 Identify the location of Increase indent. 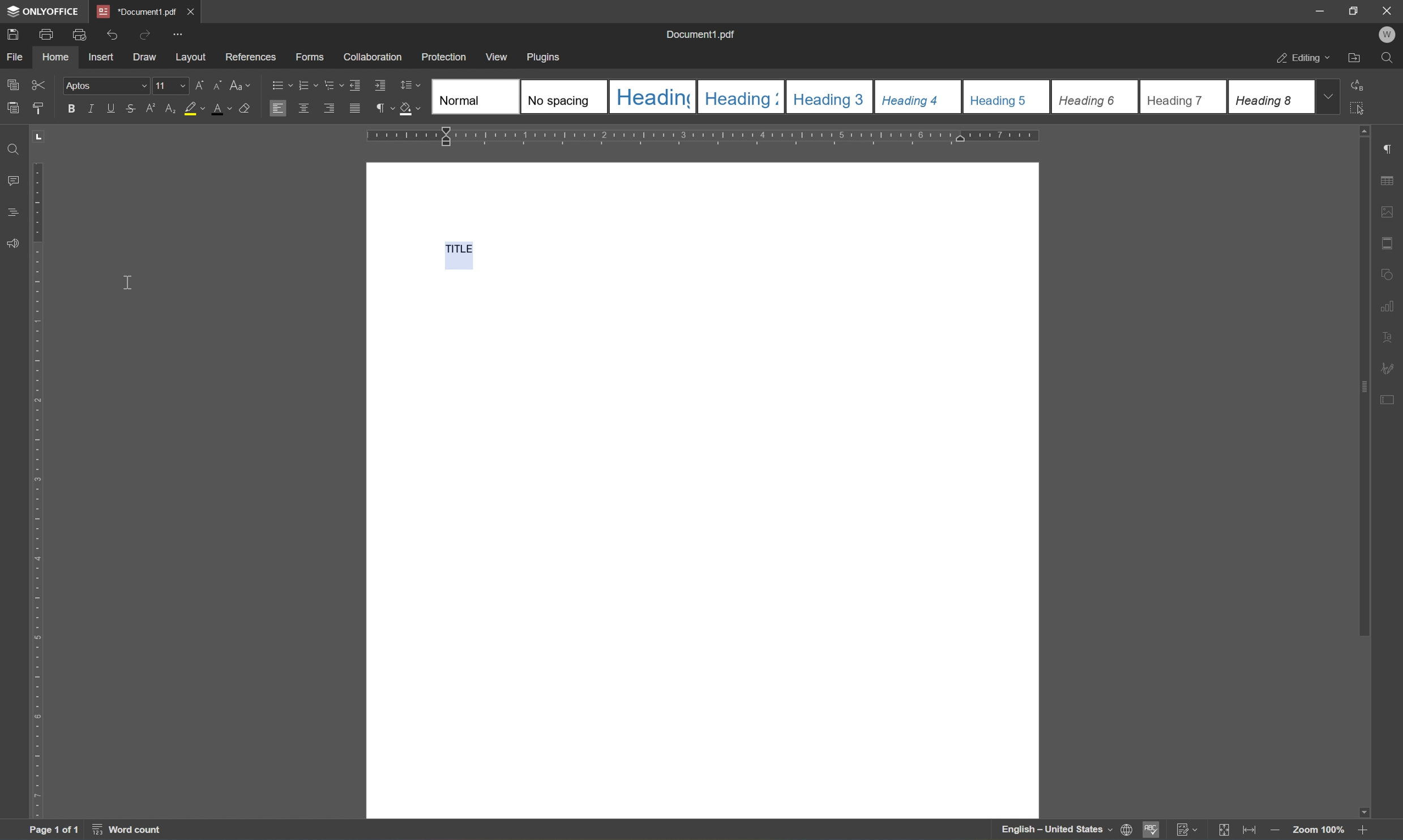
(380, 84).